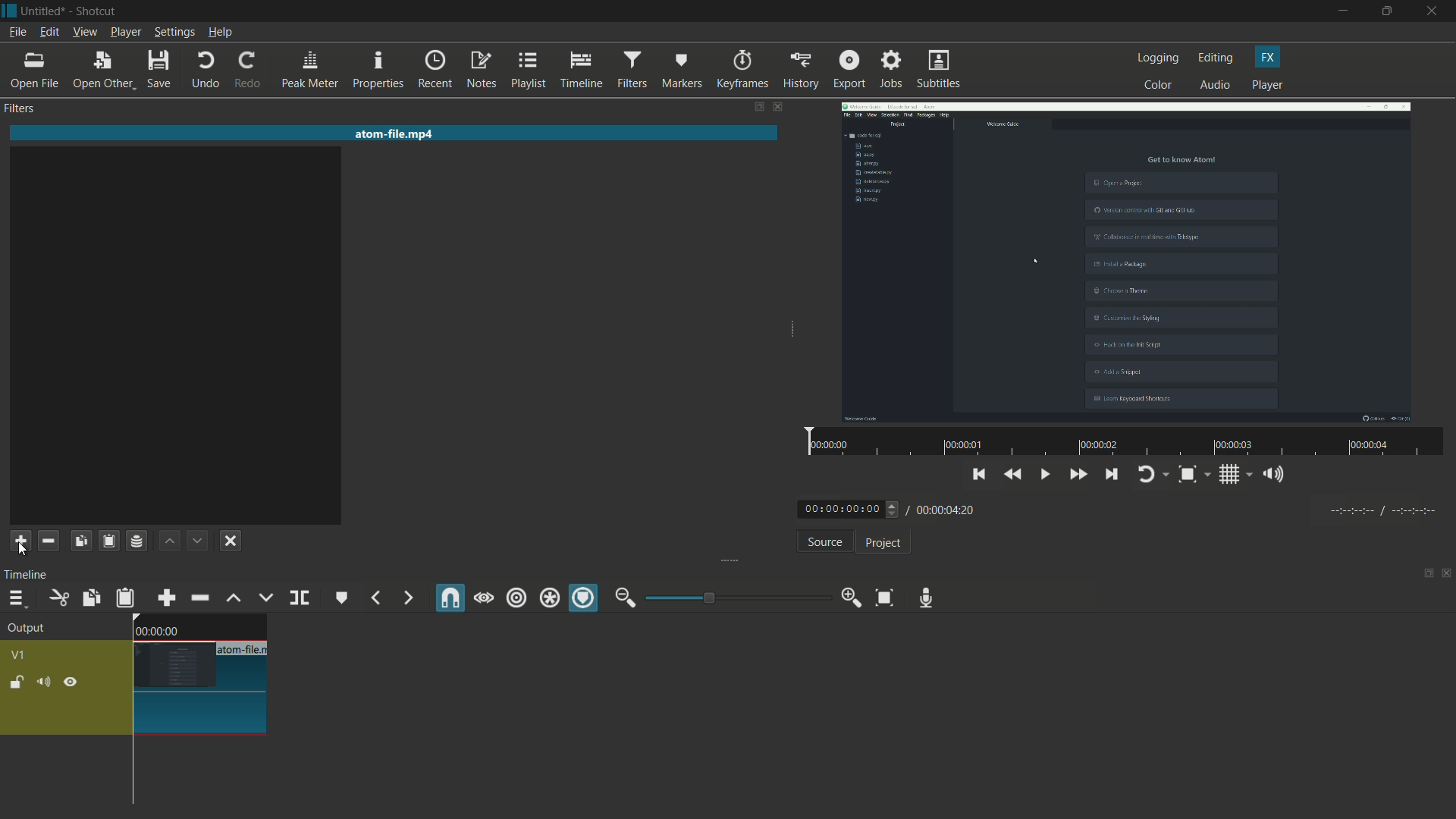  Describe the element at coordinates (21, 108) in the screenshot. I see `filters` at that location.